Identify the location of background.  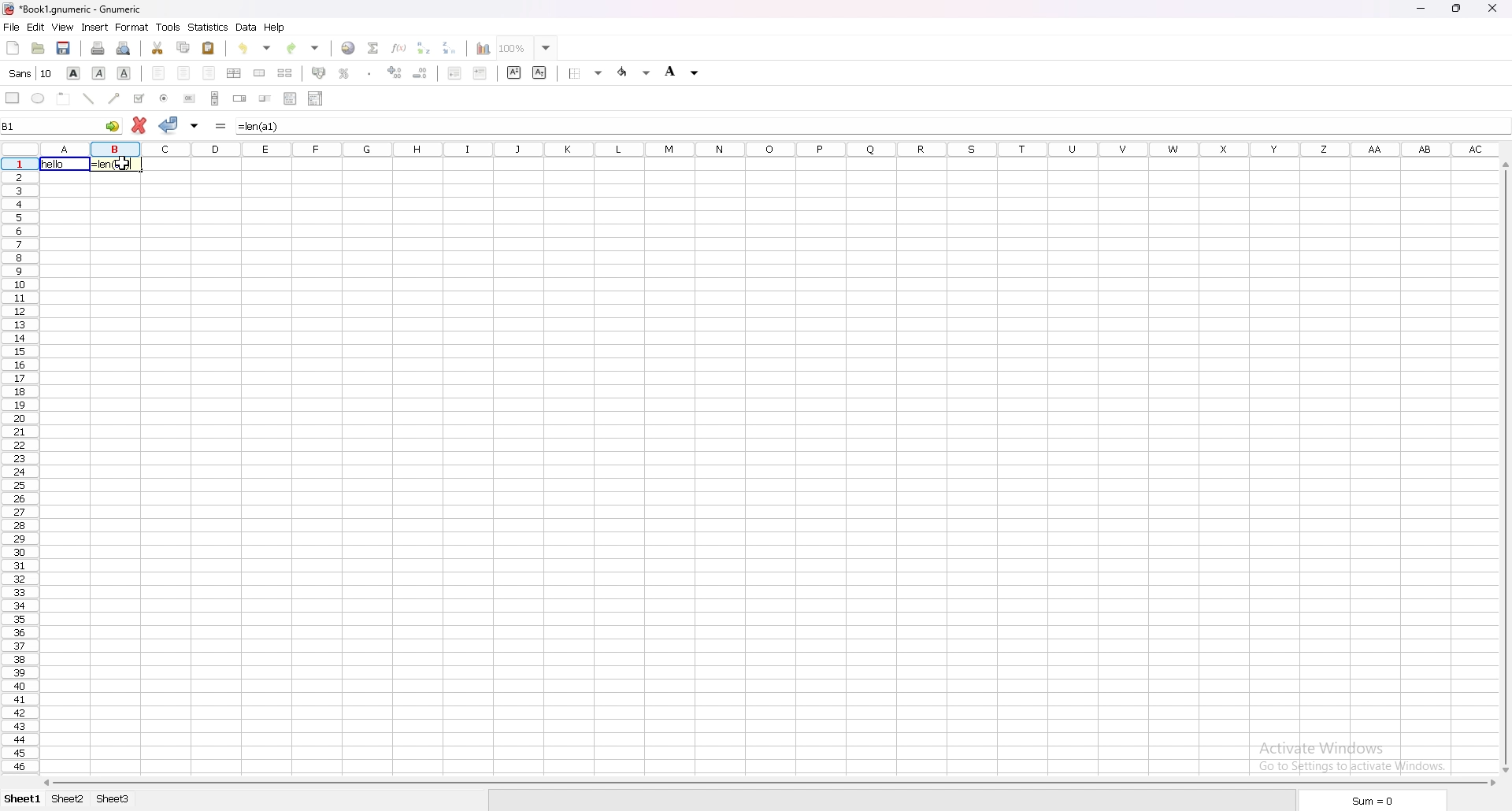
(587, 72).